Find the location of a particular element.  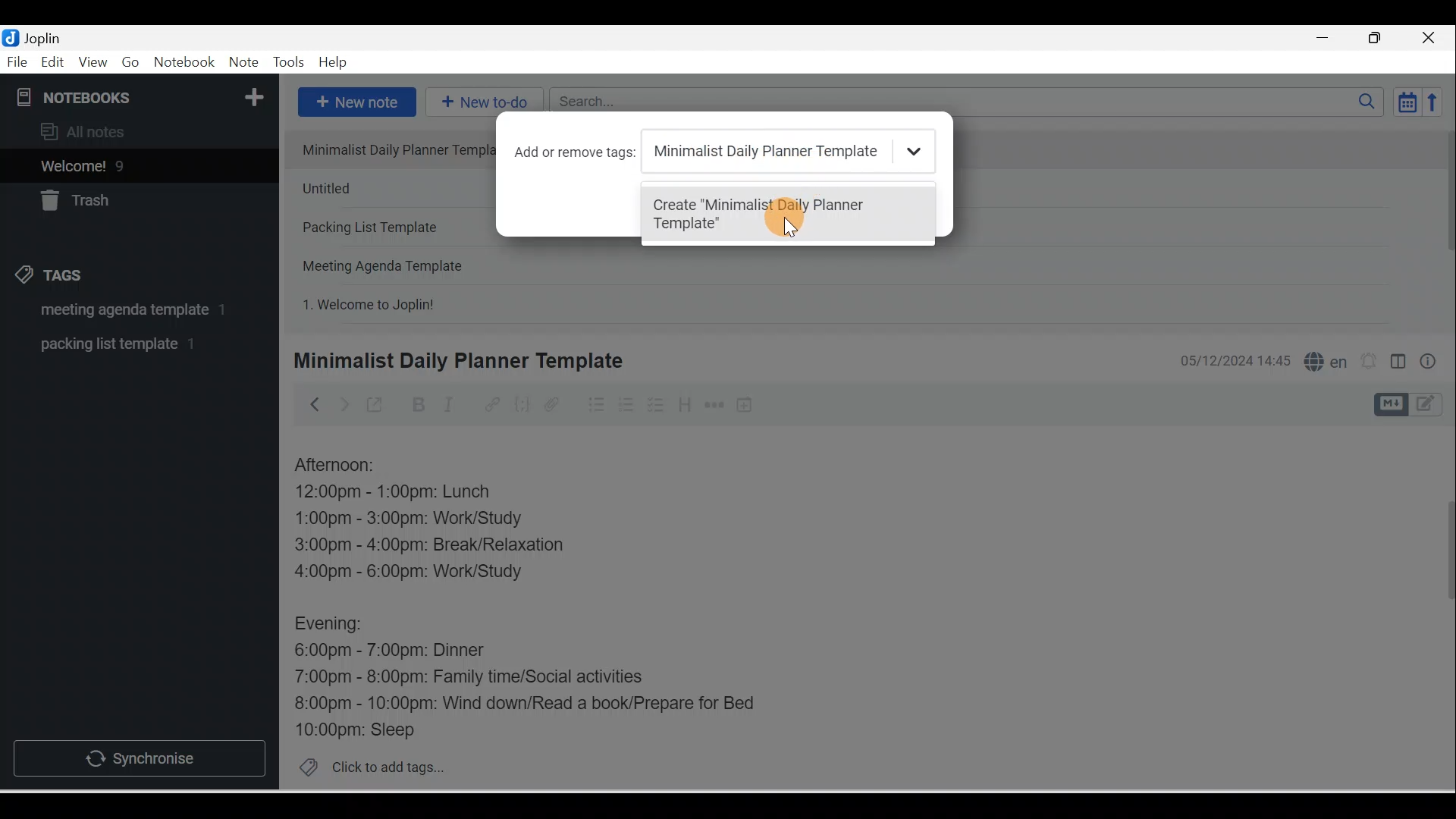

Reverse sort is located at coordinates (1437, 102).